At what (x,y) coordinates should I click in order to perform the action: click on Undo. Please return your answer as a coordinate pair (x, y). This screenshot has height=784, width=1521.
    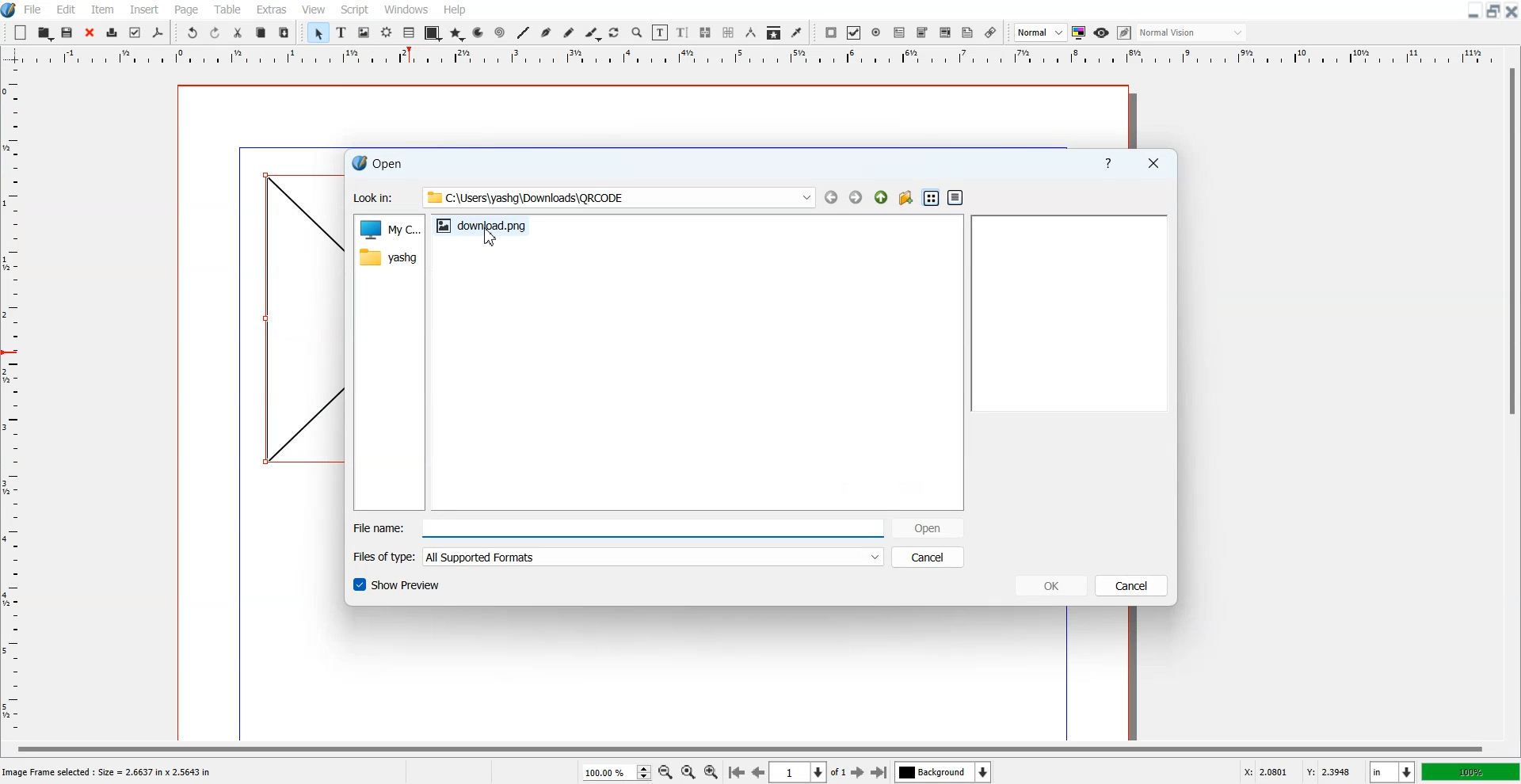
    Looking at the image, I should click on (193, 32).